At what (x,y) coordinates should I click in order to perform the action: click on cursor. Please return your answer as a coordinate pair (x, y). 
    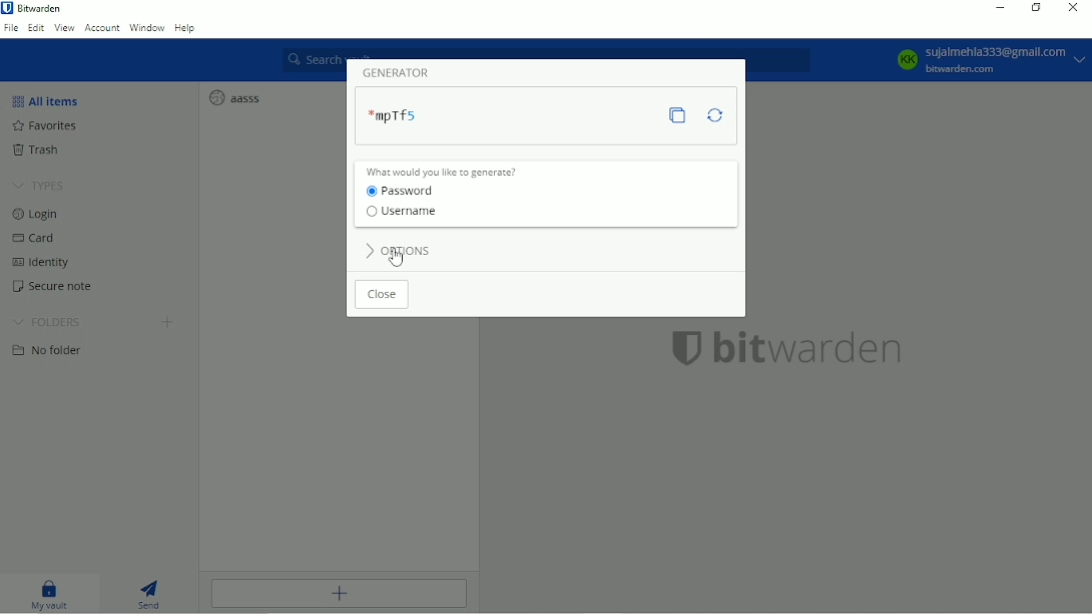
    Looking at the image, I should click on (400, 258).